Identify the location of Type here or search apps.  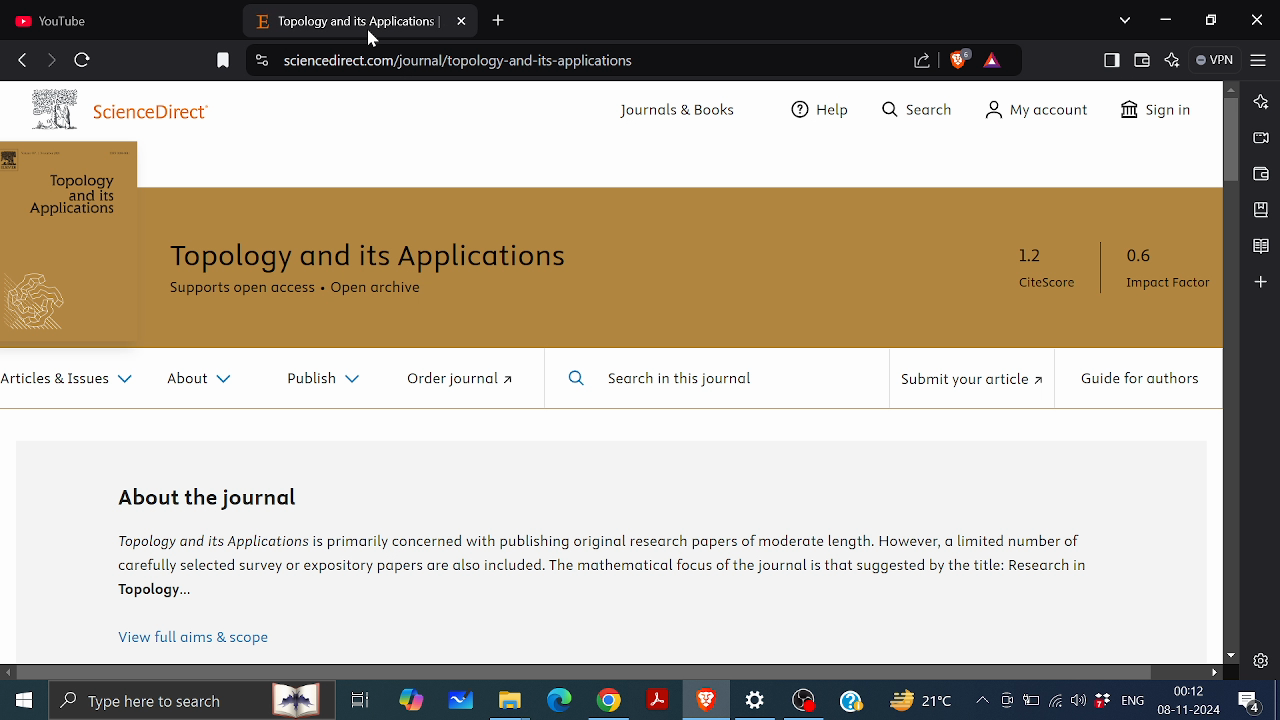
(190, 699).